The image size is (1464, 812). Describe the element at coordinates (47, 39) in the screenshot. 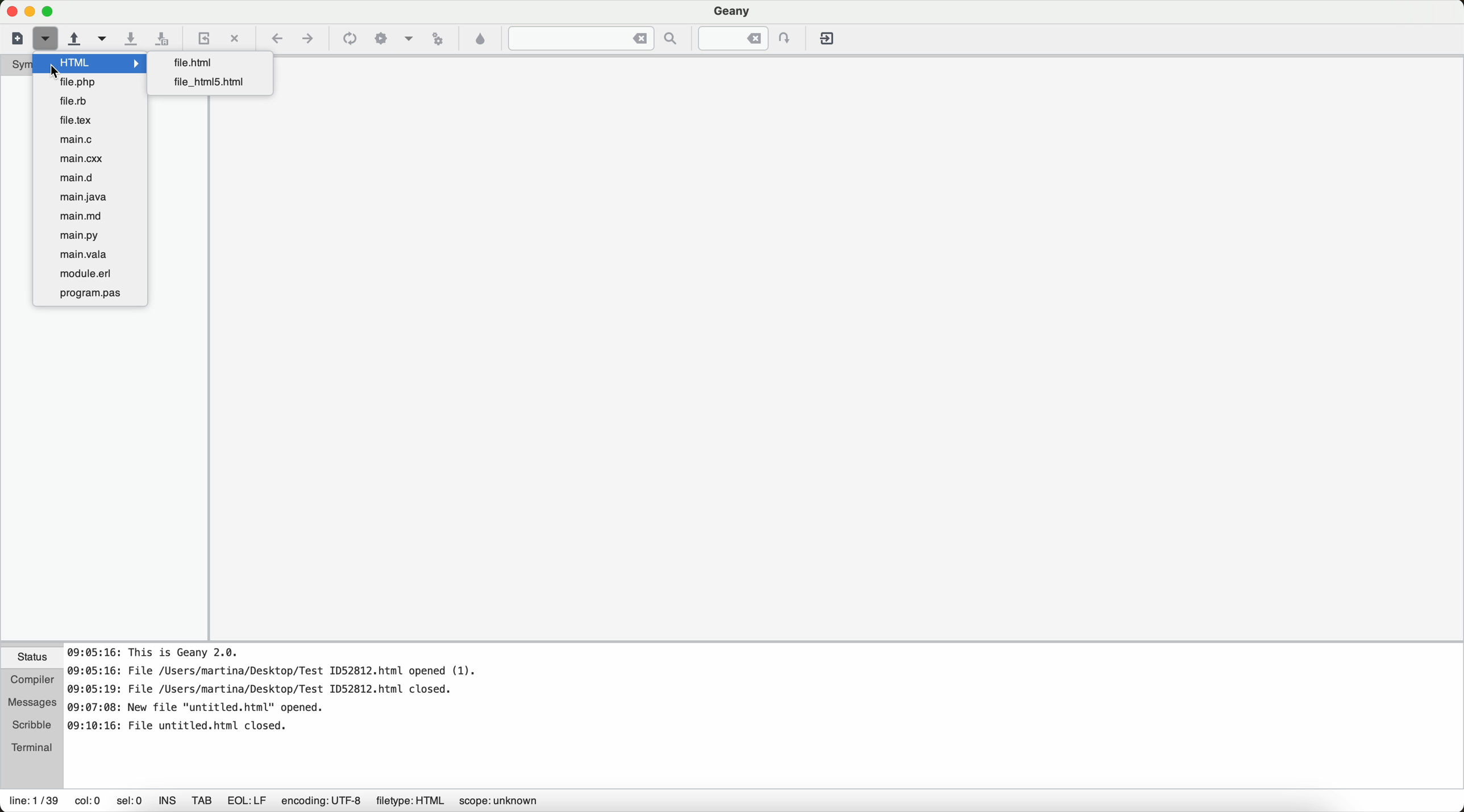

I see `cursor on new file from a template` at that location.